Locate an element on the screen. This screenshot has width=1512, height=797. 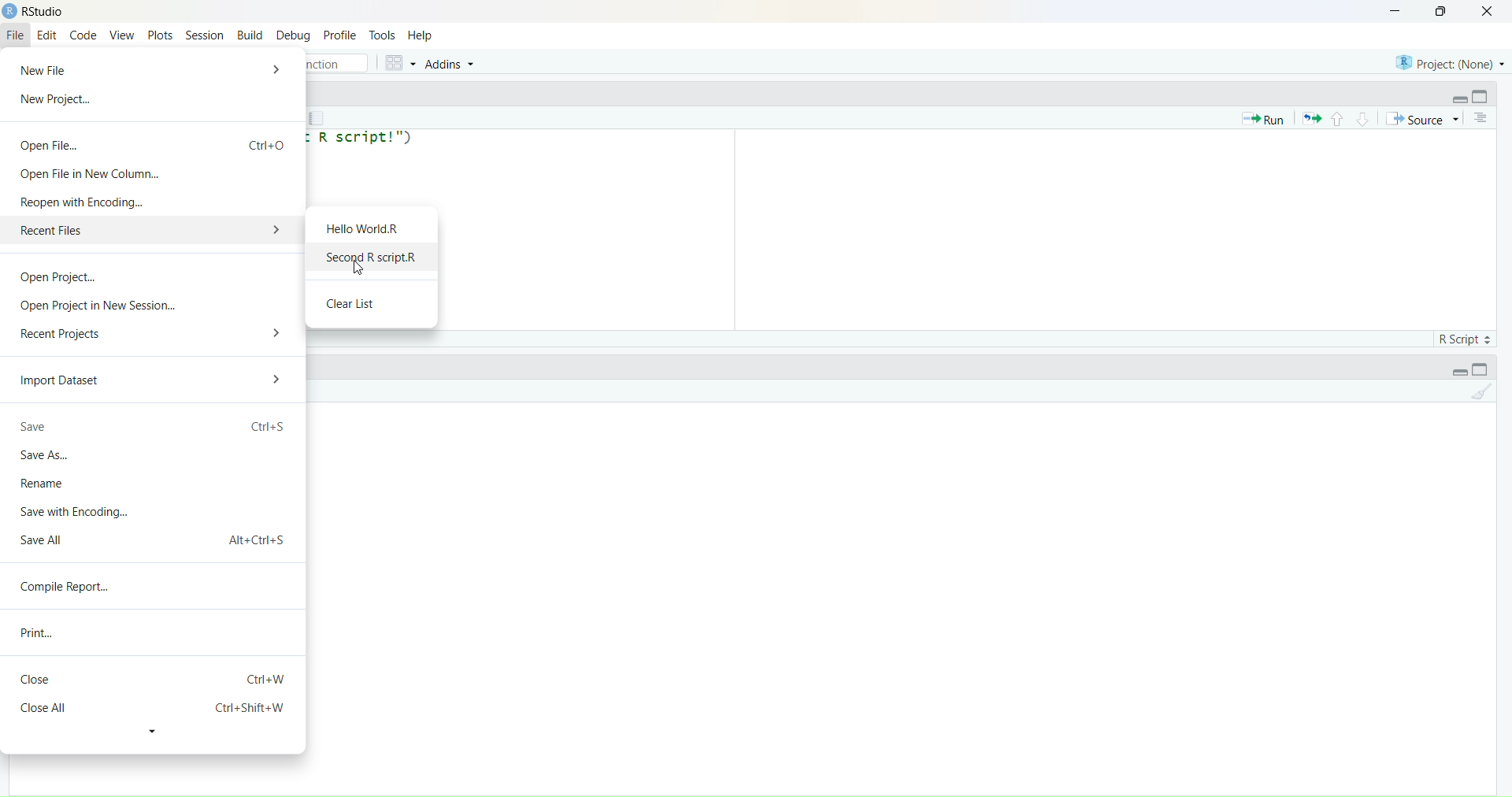
More is located at coordinates (280, 380).